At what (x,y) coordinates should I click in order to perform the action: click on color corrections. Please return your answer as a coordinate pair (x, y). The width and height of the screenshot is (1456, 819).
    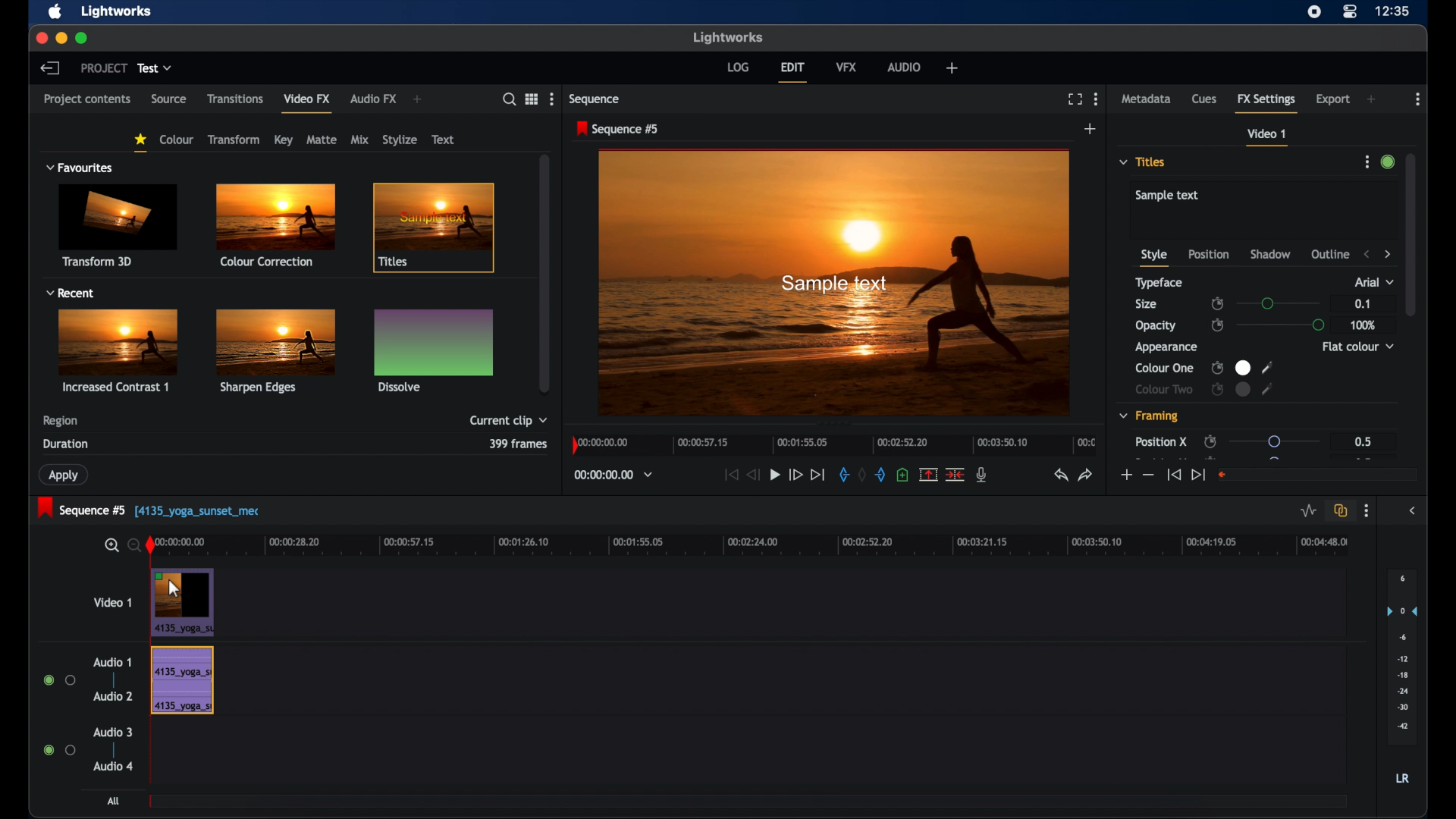
    Looking at the image, I should click on (275, 226).